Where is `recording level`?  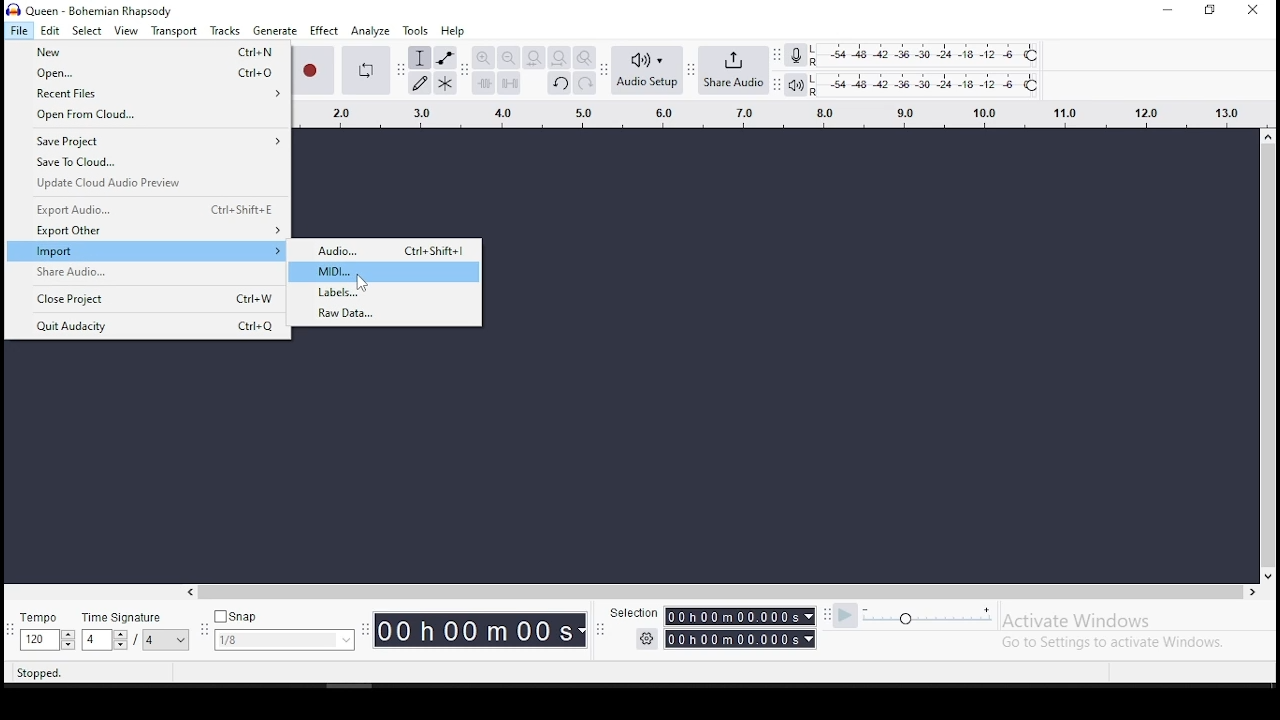
recording level is located at coordinates (940, 54).